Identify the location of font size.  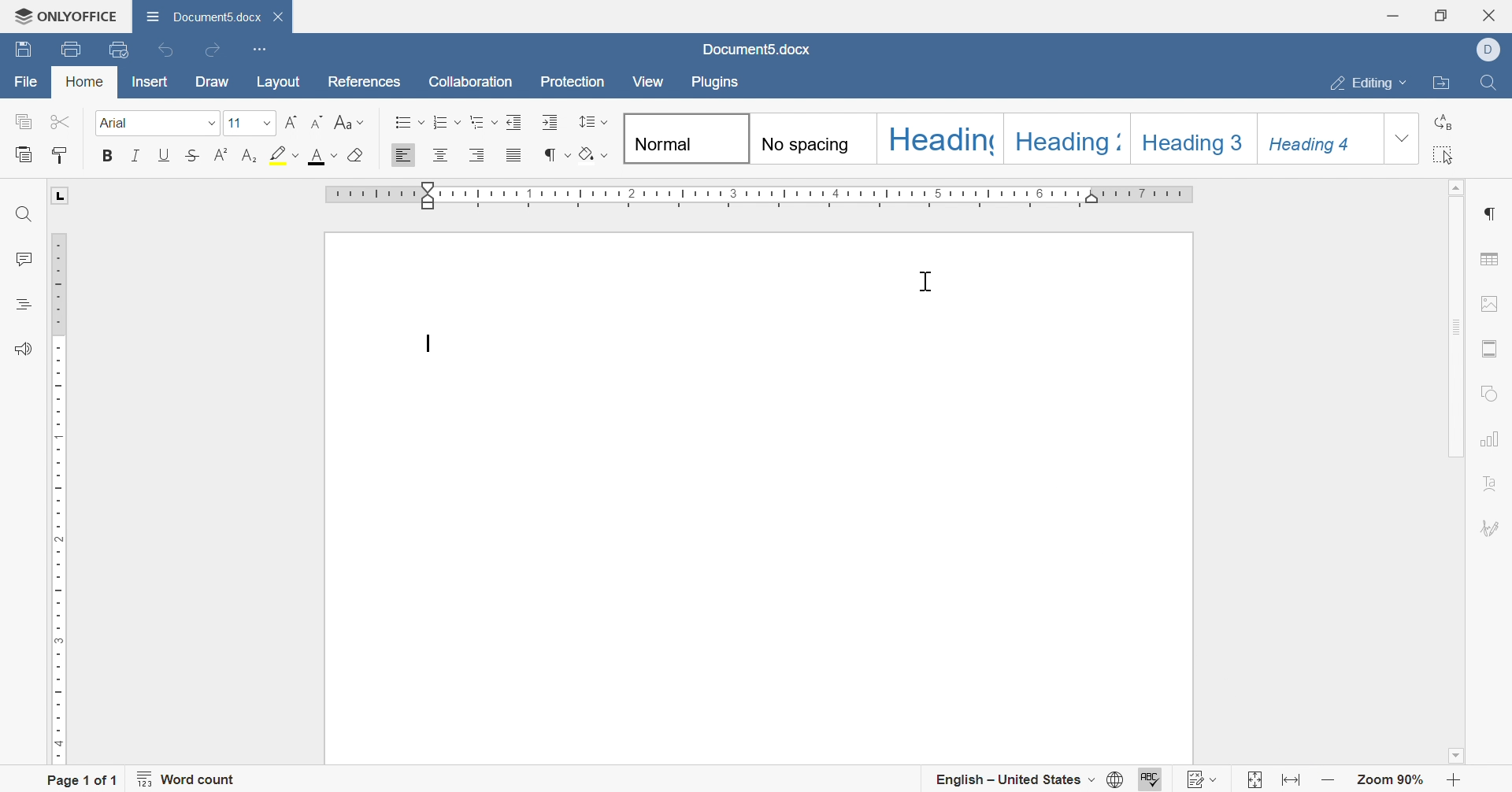
(249, 124).